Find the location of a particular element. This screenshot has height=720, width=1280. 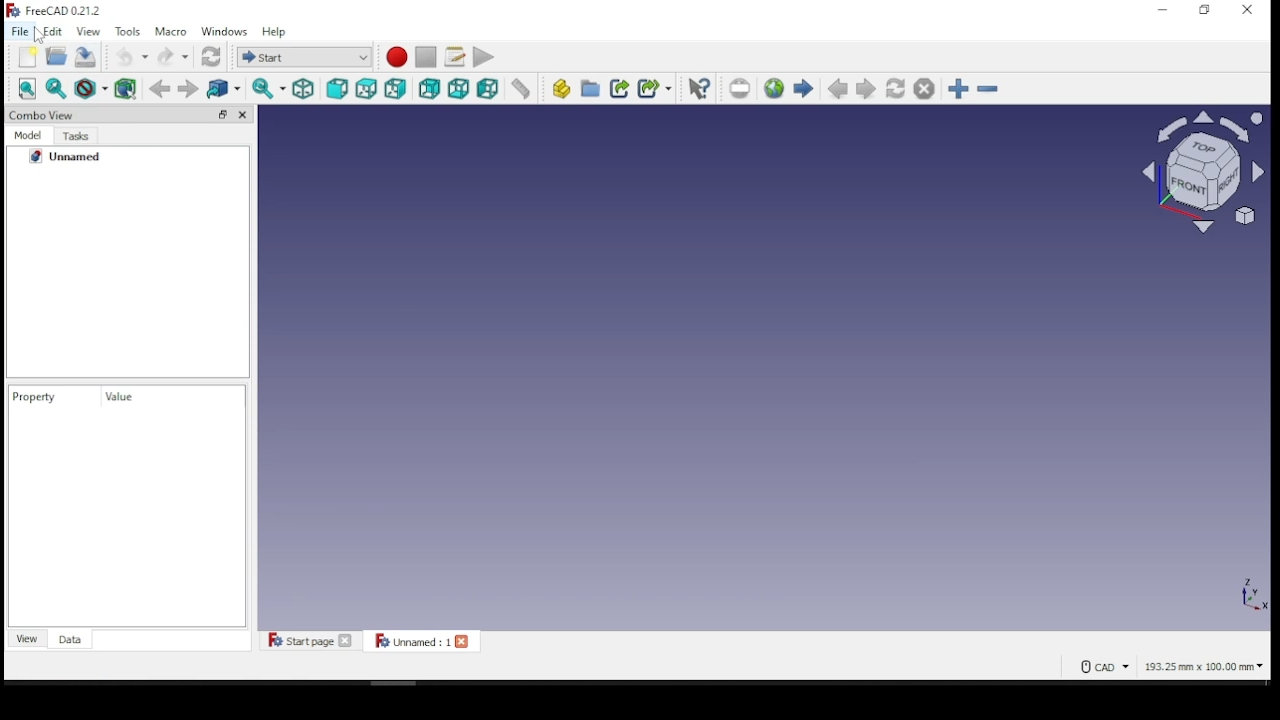

next page is located at coordinates (866, 88).